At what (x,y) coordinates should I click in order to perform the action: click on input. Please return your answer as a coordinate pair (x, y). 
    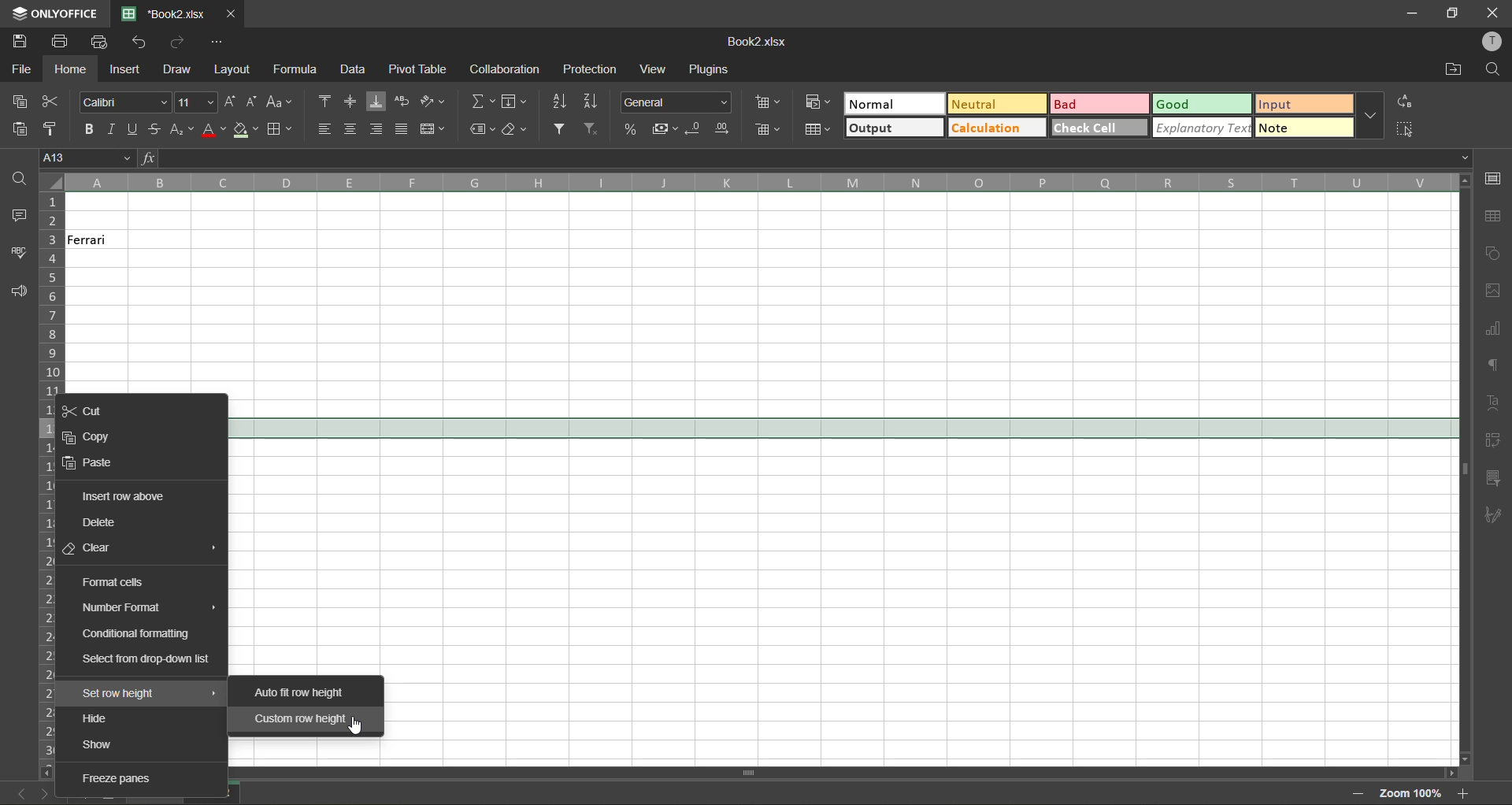
    Looking at the image, I should click on (1302, 103).